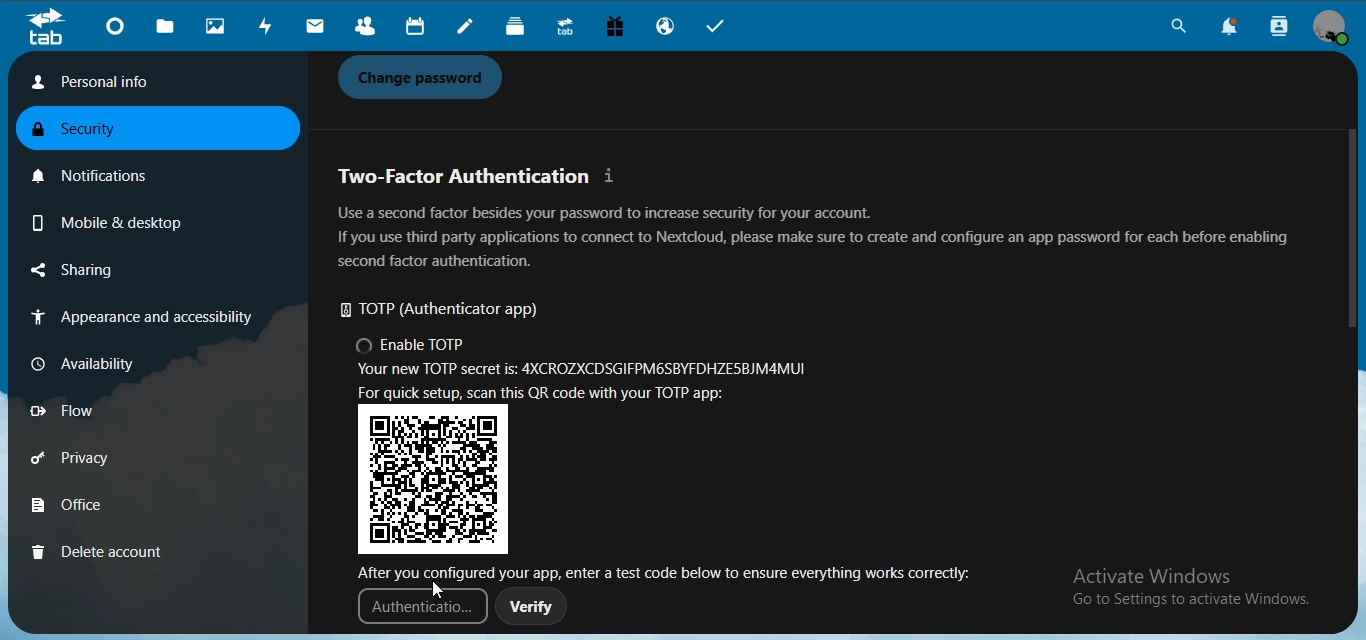  What do you see at coordinates (418, 612) in the screenshot?
I see `authentication` at bounding box center [418, 612].